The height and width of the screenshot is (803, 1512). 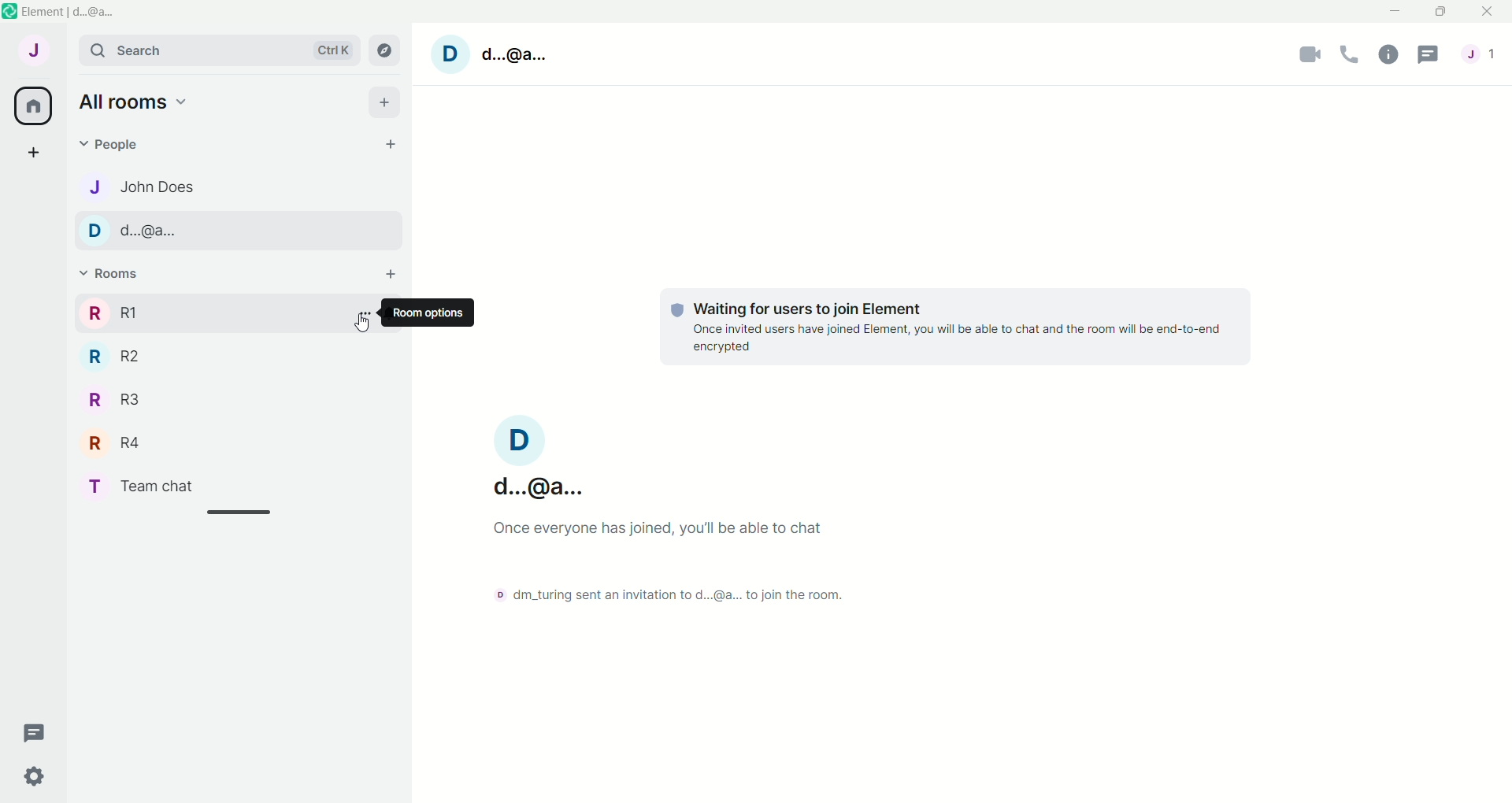 What do you see at coordinates (164, 316) in the screenshot?
I see `R R1` at bounding box center [164, 316].